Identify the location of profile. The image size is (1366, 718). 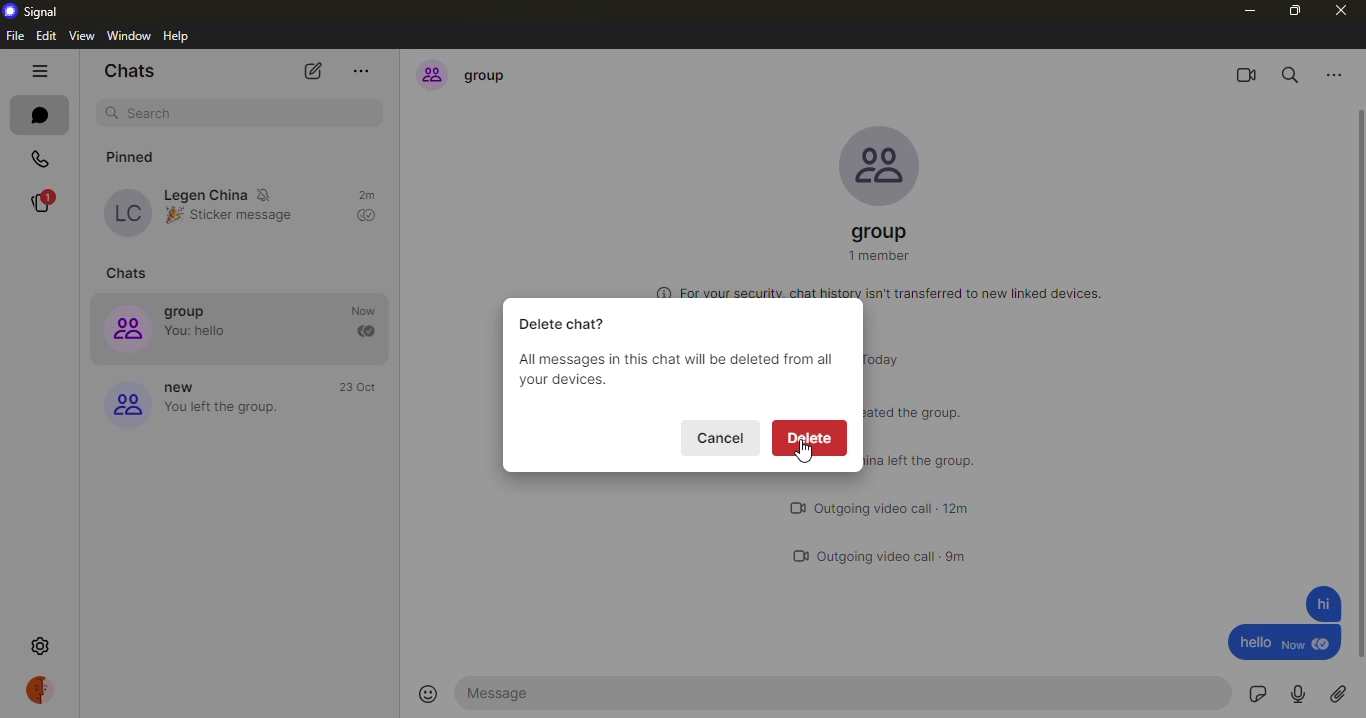
(124, 213).